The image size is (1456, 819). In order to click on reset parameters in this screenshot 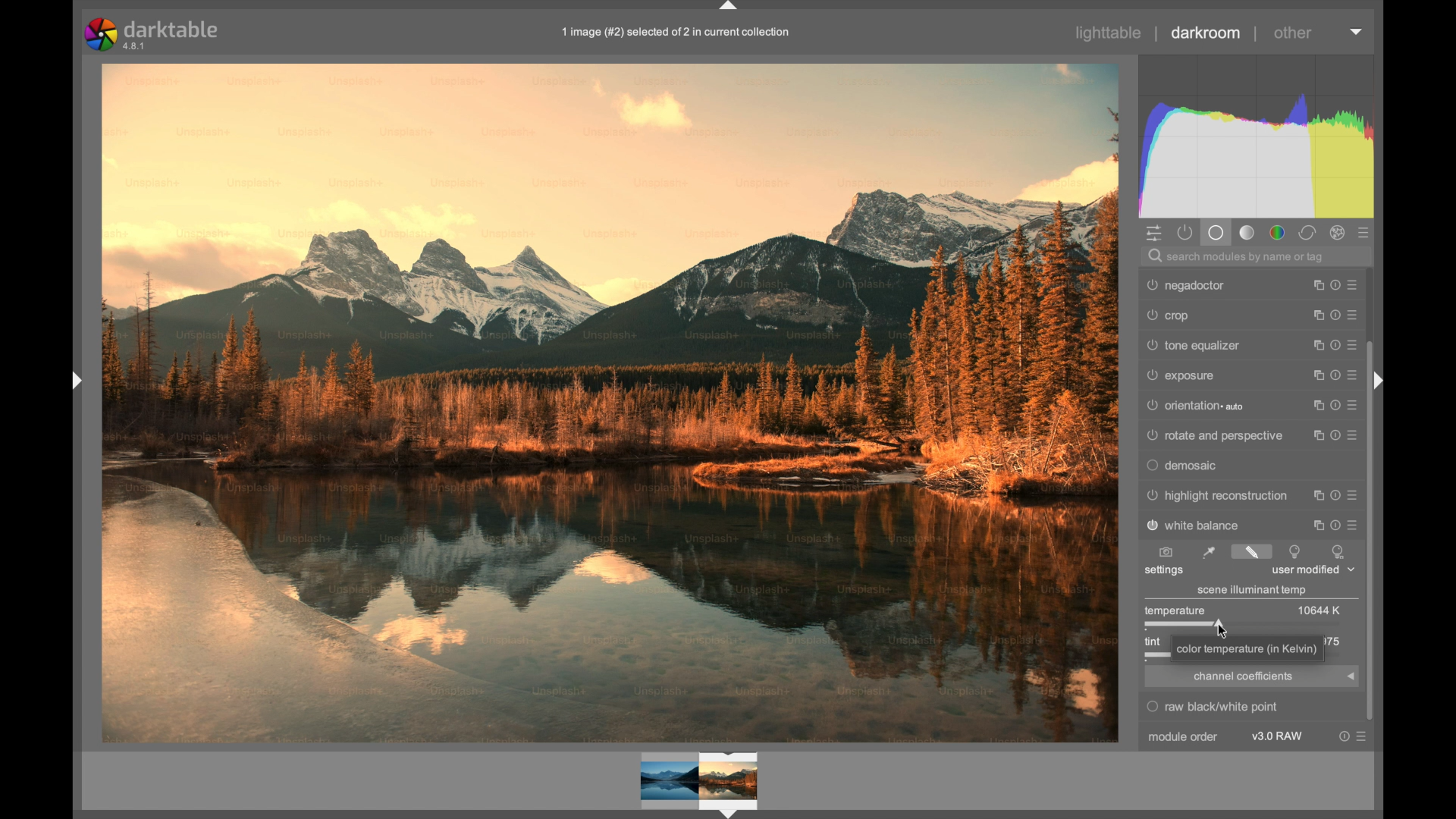, I will do `click(1336, 522)`.